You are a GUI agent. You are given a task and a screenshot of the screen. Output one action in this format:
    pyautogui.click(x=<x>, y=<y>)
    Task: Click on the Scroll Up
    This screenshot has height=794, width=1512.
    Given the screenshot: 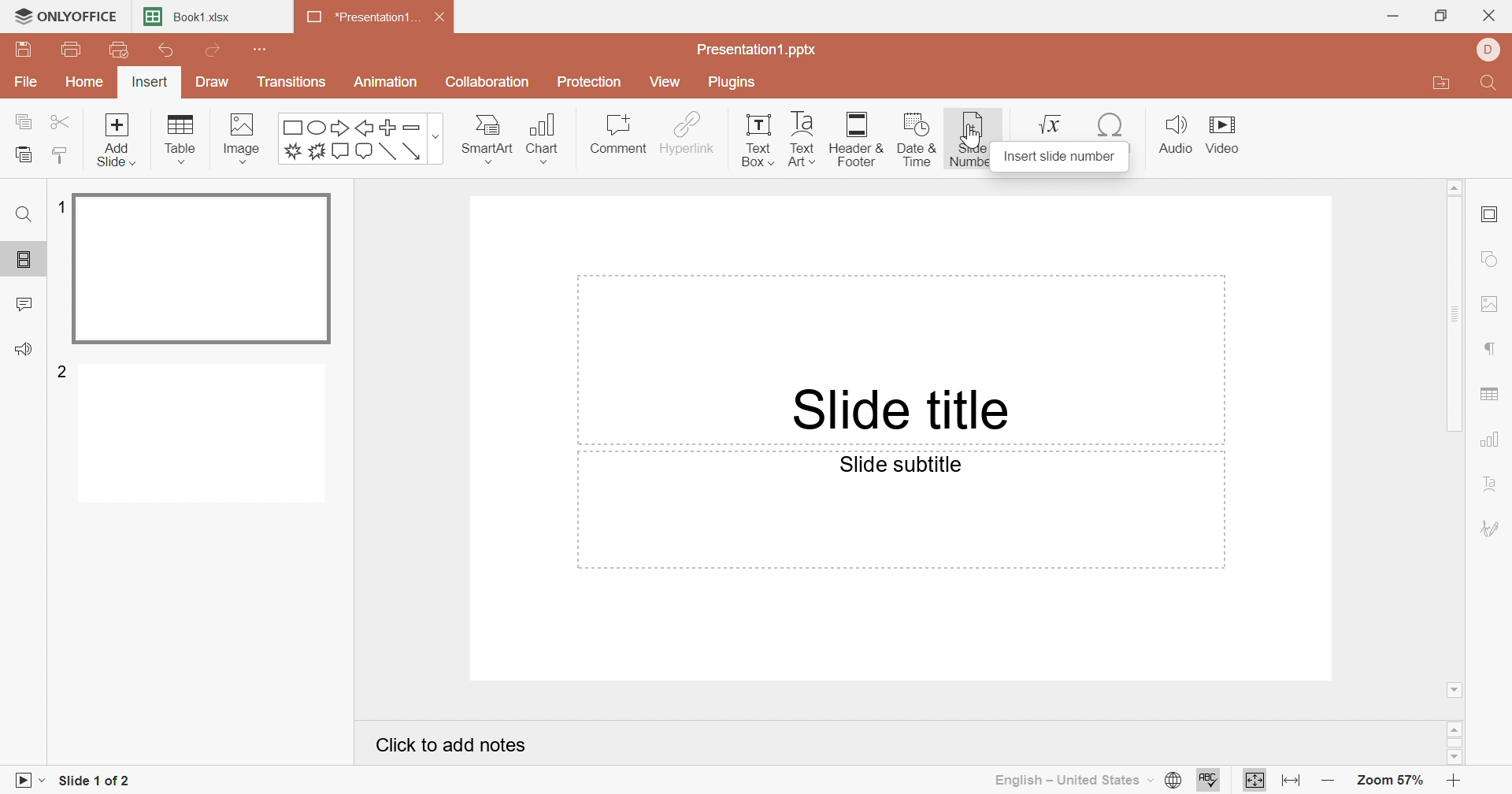 What is the action you would take?
    pyautogui.click(x=1458, y=727)
    